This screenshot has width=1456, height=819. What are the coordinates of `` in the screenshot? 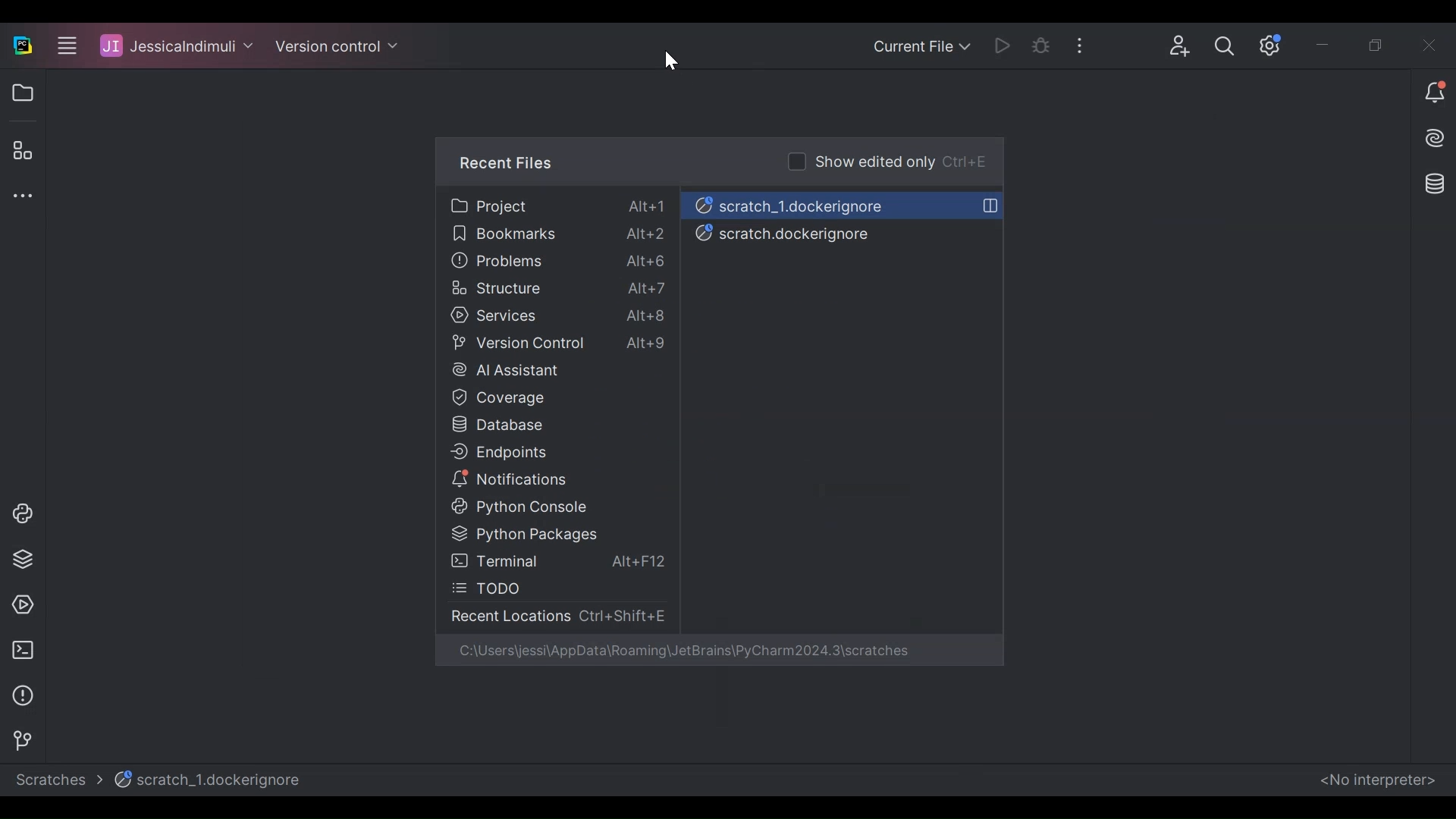 It's located at (1228, 46).